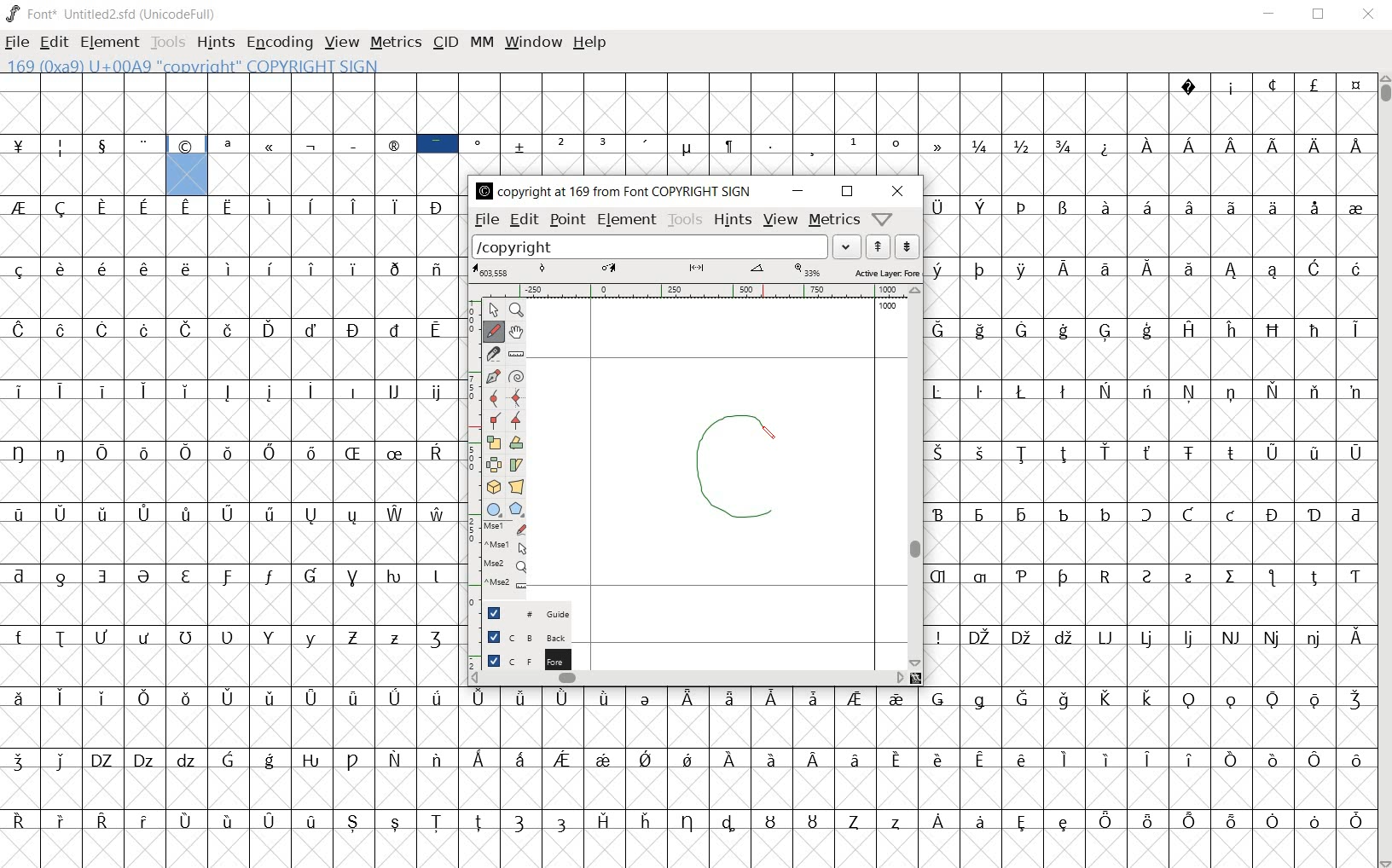 The height and width of the screenshot is (868, 1392). Describe the element at coordinates (395, 42) in the screenshot. I see `metrics` at that location.